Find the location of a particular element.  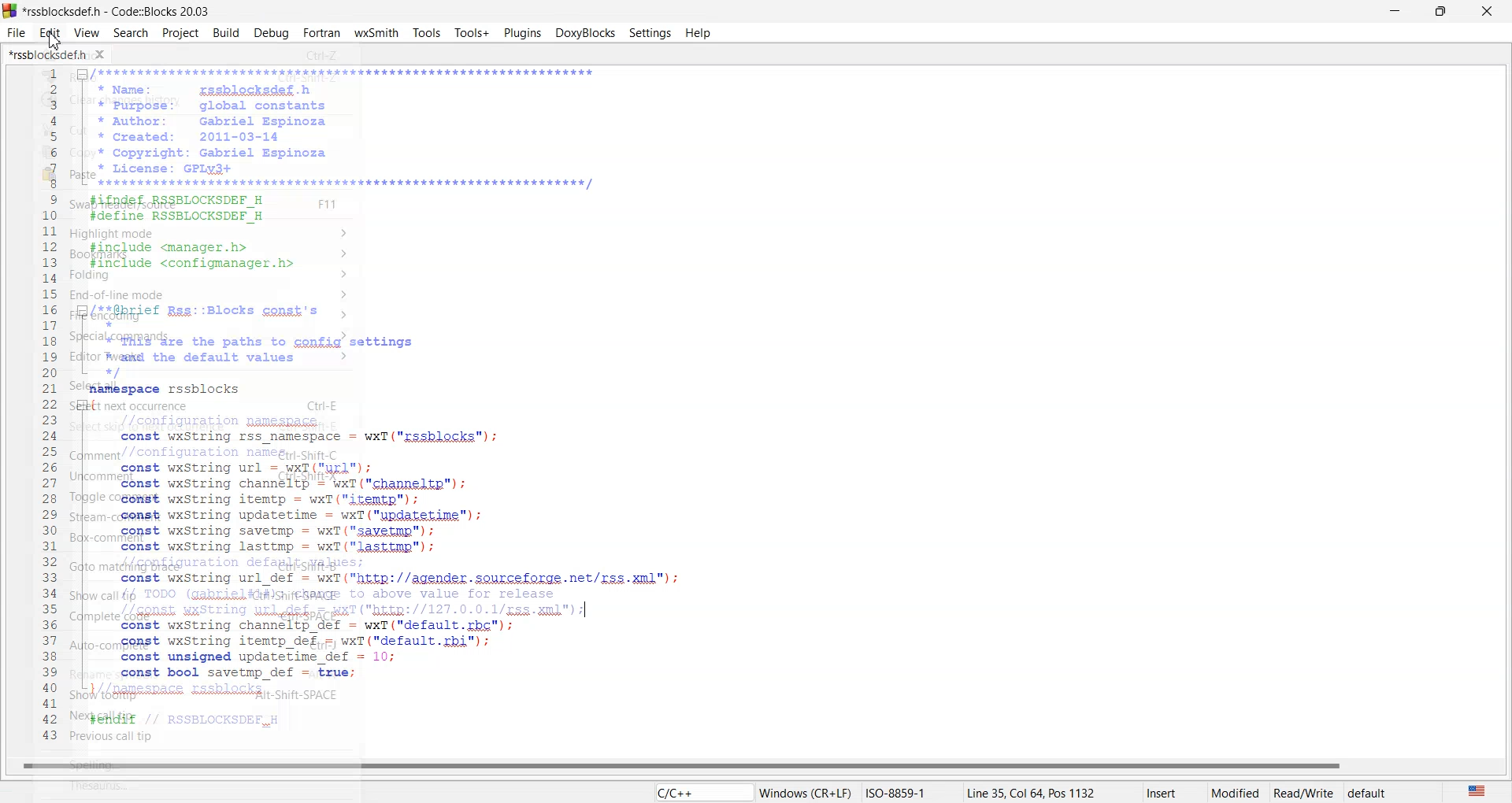

Fortran is located at coordinates (321, 33).